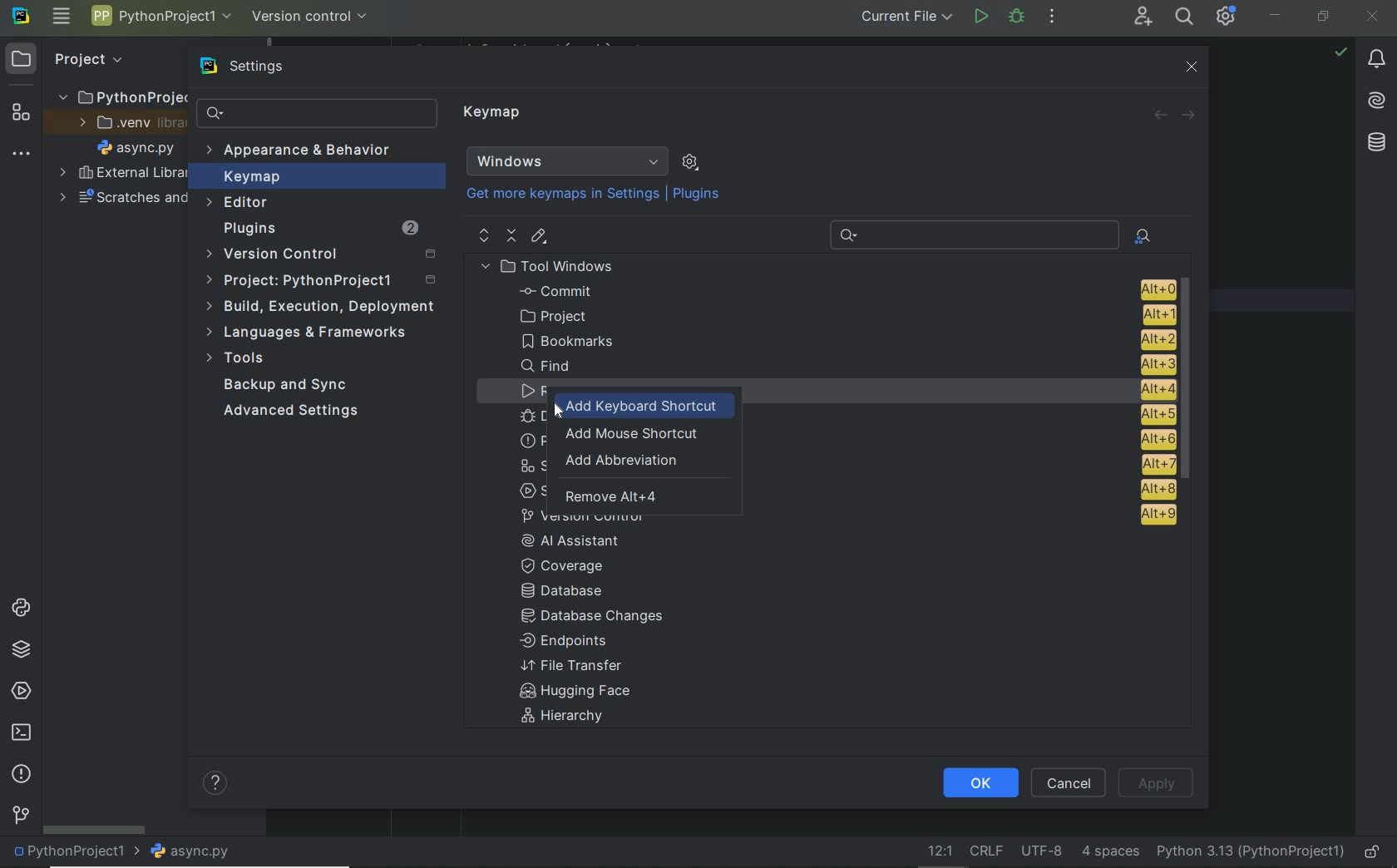 This screenshot has height=868, width=1397. Describe the element at coordinates (698, 195) in the screenshot. I see `Plugins` at that location.